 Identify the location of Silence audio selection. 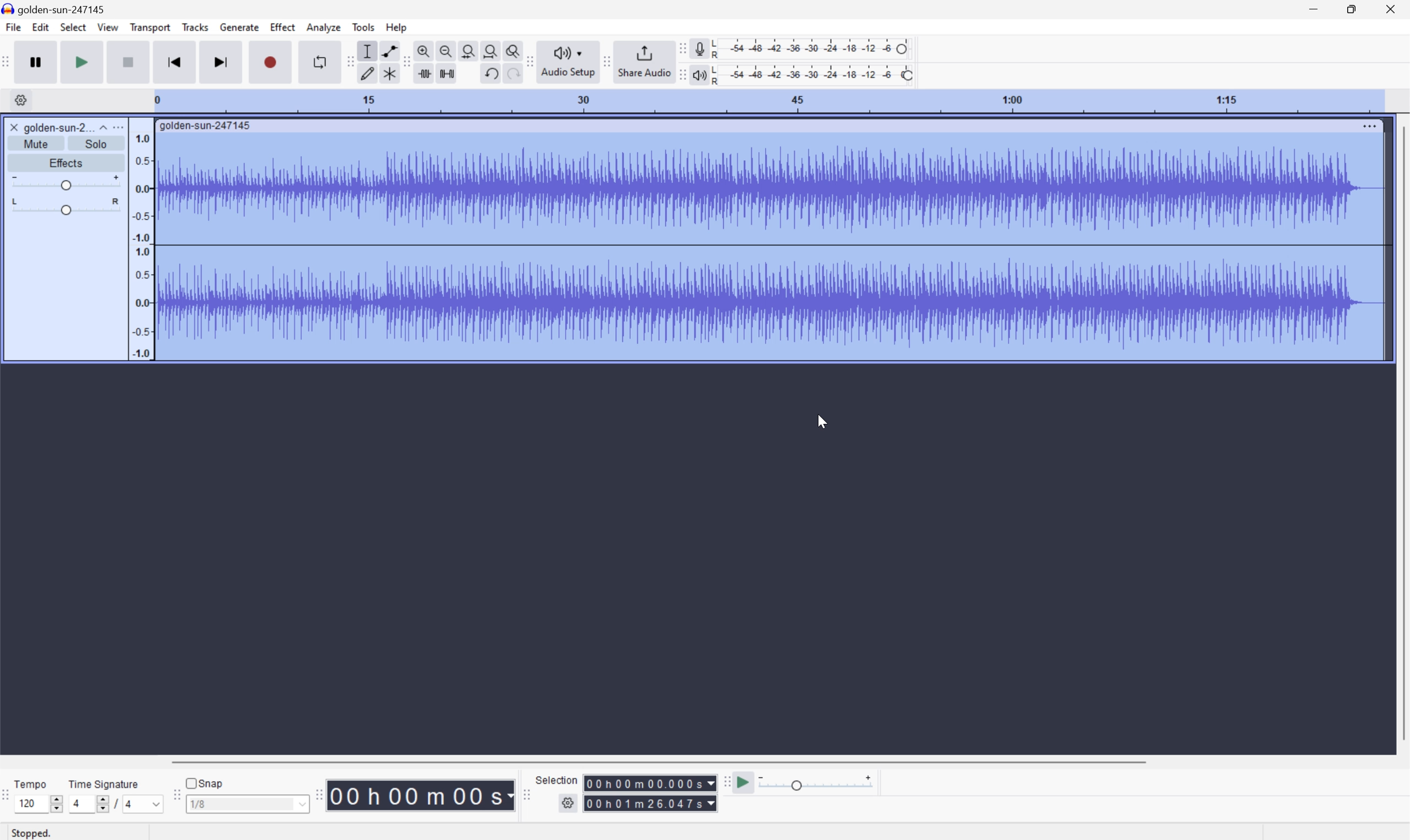
(448, 72).